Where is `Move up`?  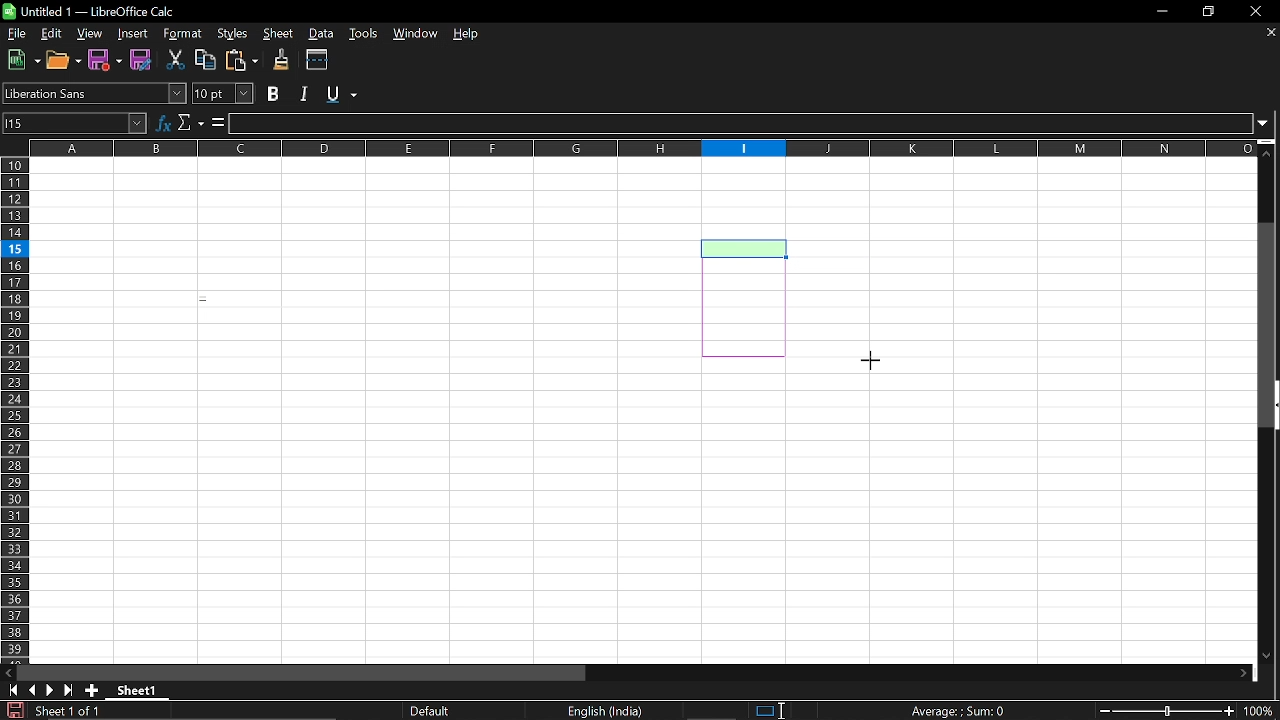
Move up is located at coordinates (1269, 152).